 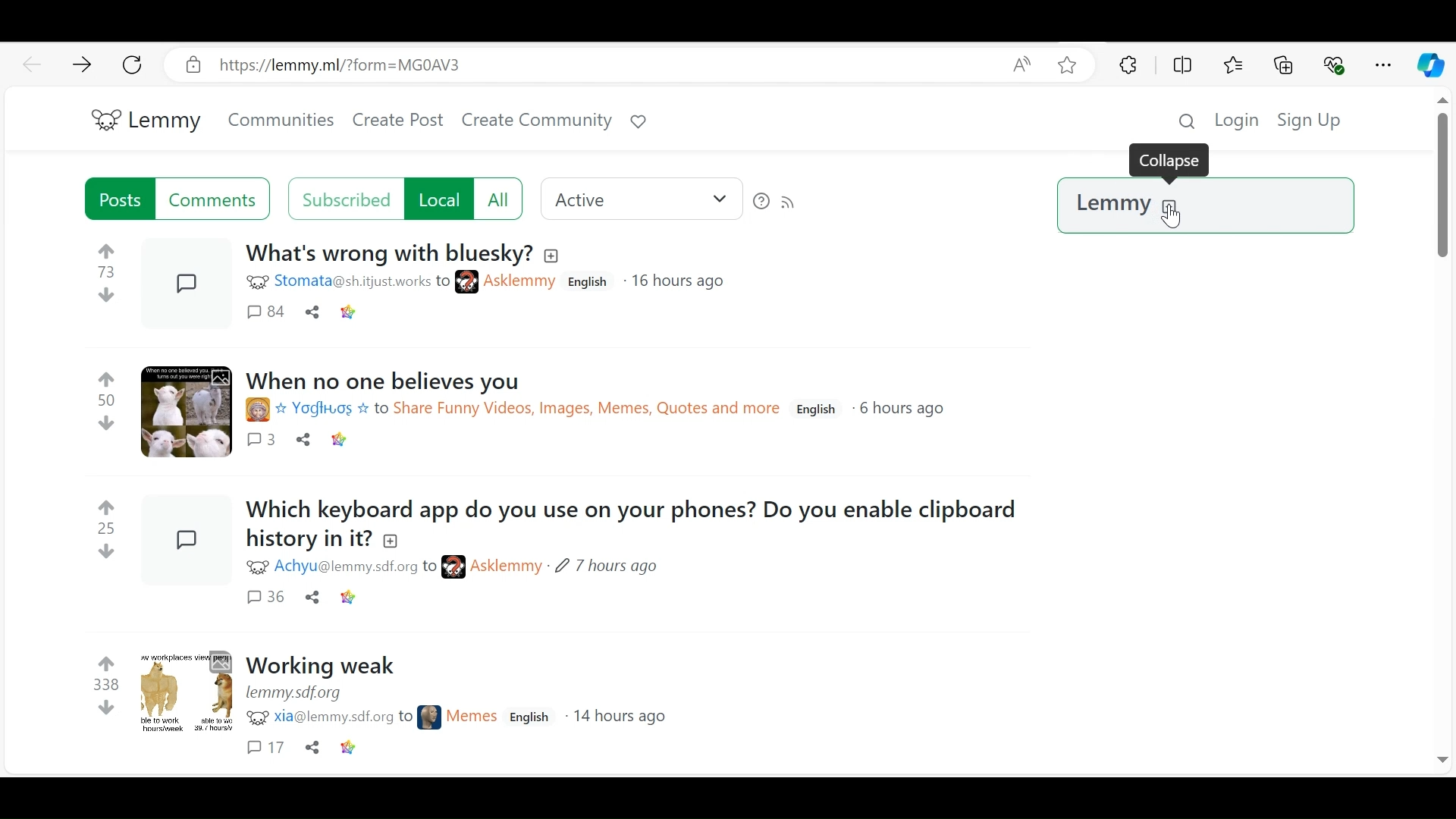 What do you see at coordinates (104, 272) in the screenshot?
I see `73` at bounding box center [104, 272].